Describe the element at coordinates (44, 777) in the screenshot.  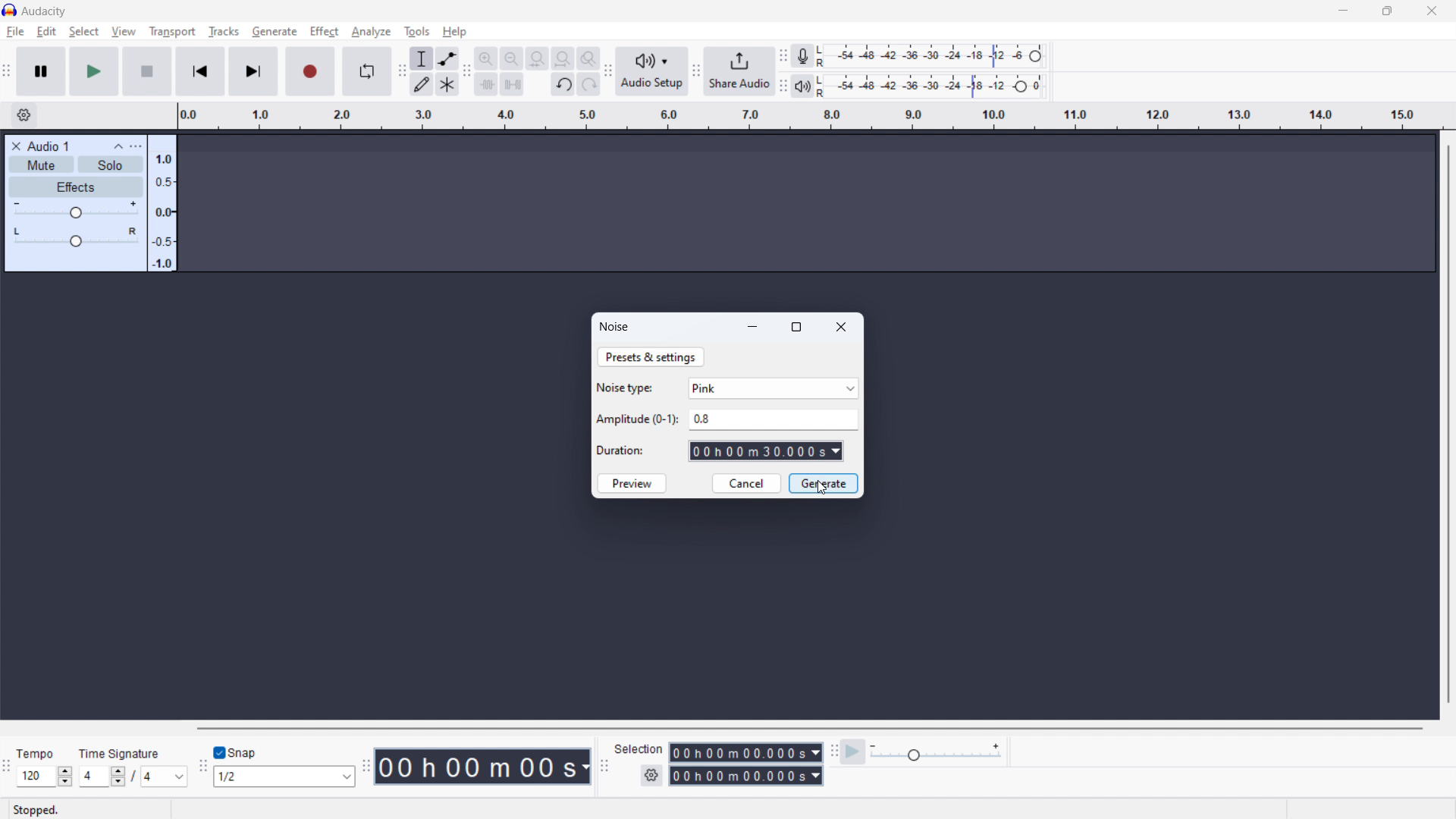
I see `set tempo` at that location.